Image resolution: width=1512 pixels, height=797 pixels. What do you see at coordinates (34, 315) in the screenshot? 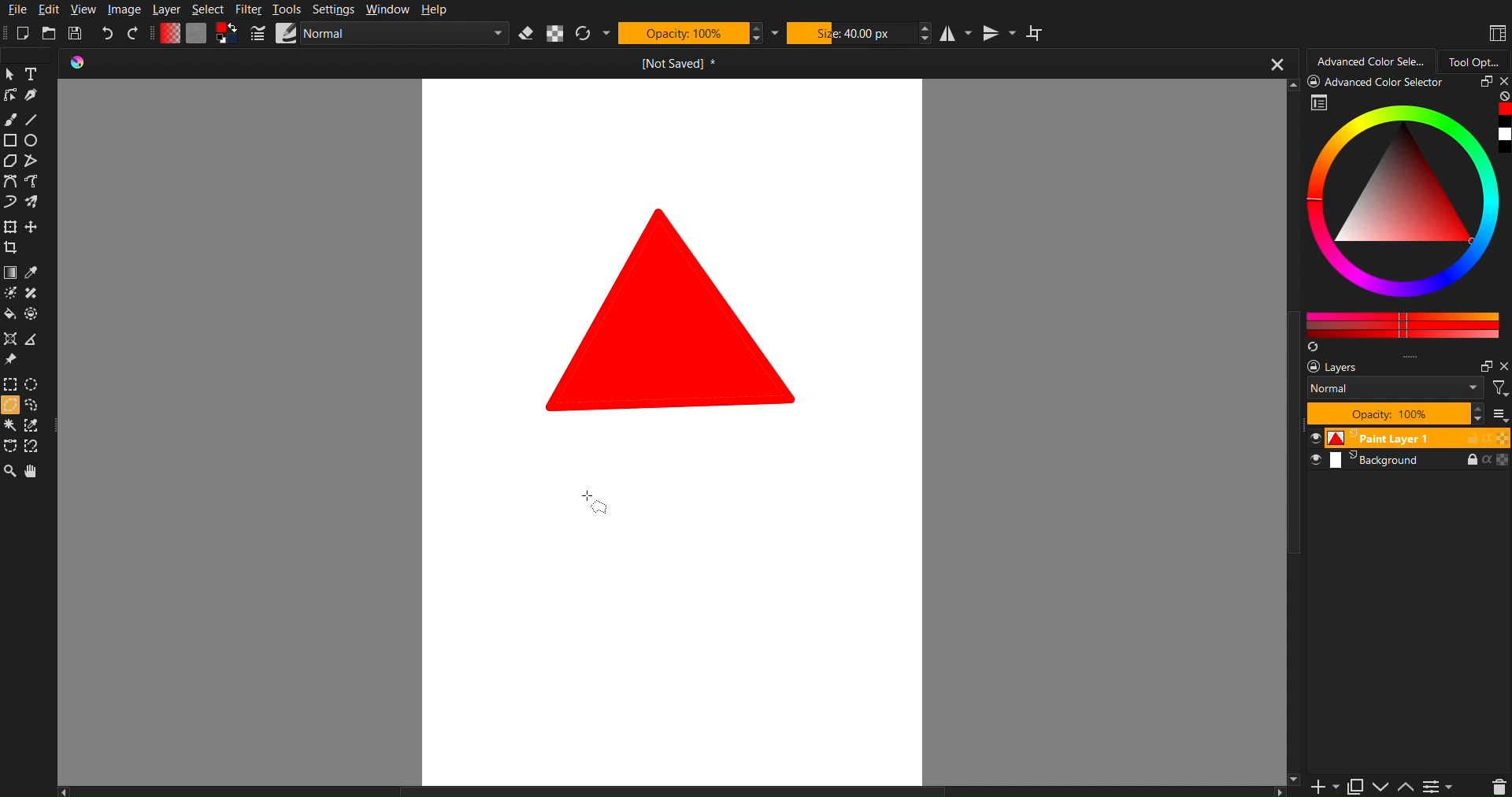
I see `dotted` at bounding box center [34, 315].